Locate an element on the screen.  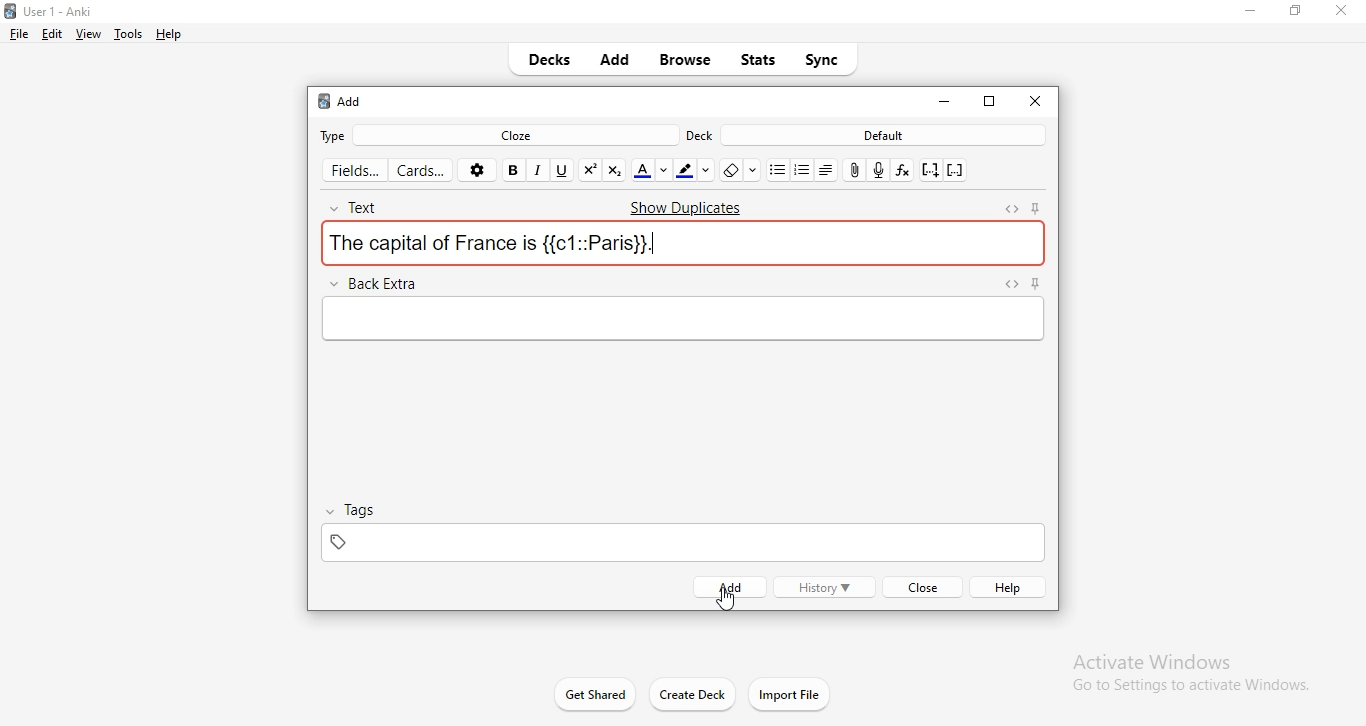
bulleting is located at coordinates (802, 169).